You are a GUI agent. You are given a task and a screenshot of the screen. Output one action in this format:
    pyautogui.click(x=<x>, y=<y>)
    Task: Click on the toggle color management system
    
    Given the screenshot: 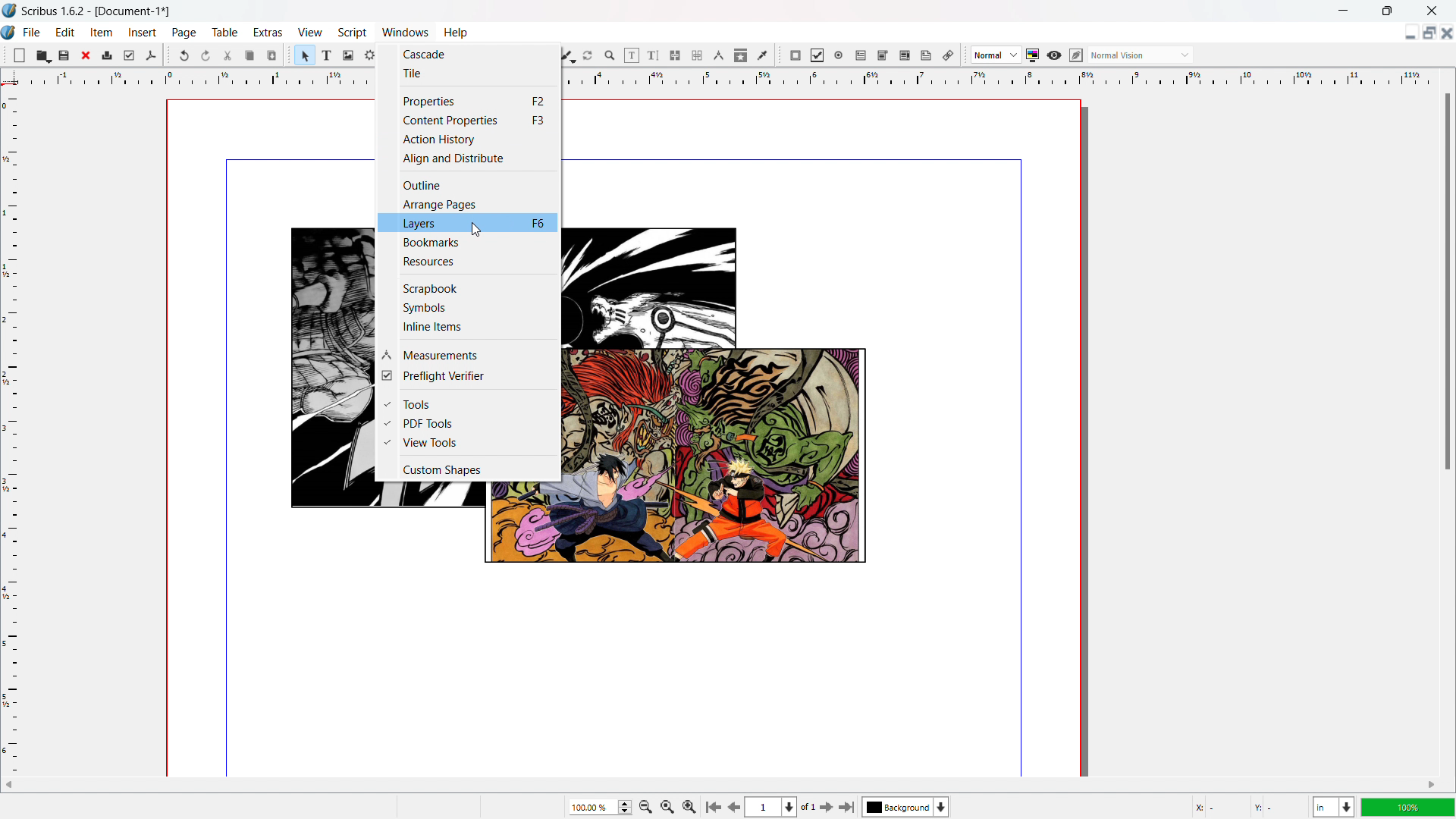 What is the action you would take?
    pyautogui.click(x=1032, y=55)
    